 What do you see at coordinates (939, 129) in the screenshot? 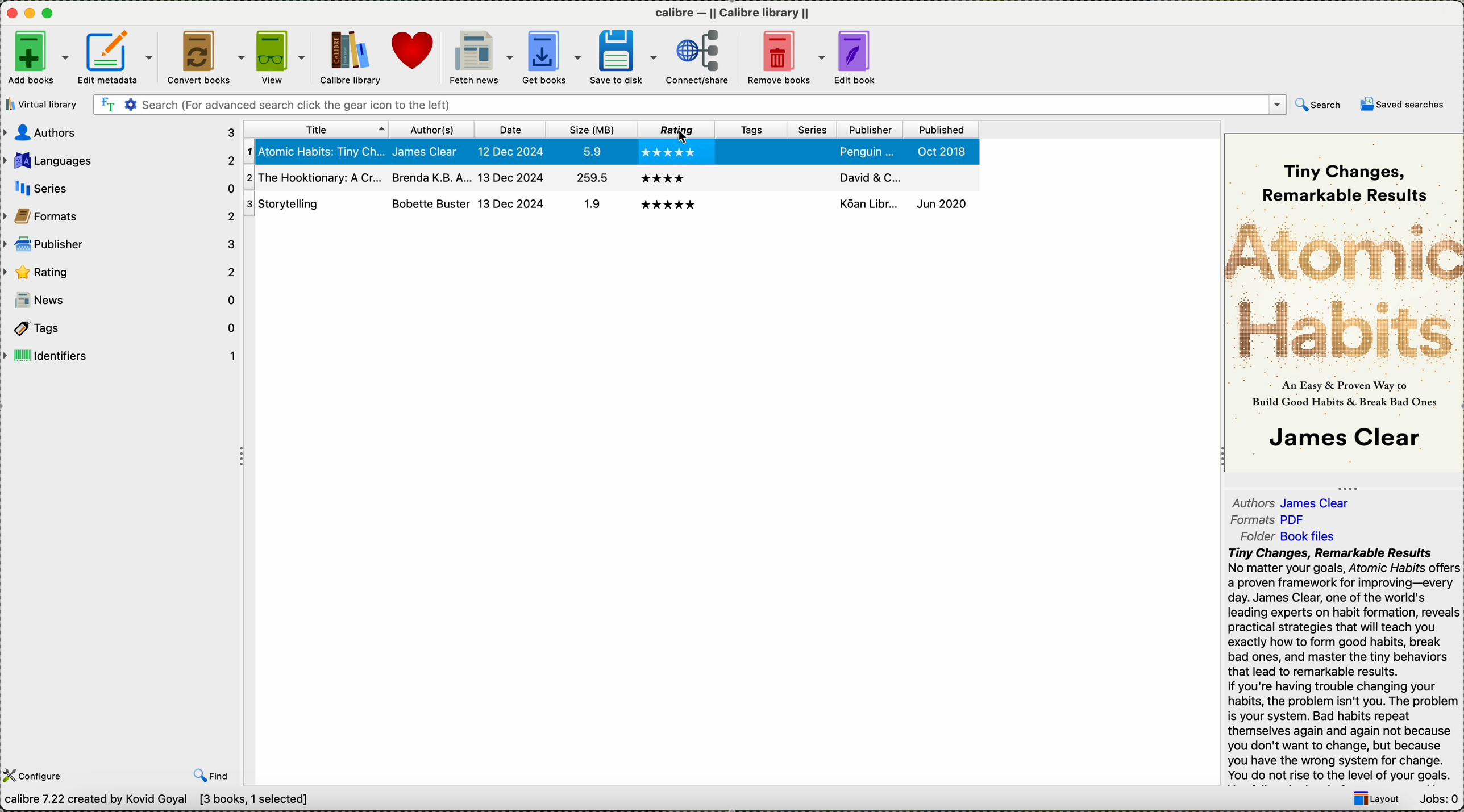
I see `published` at bounding box center [939, 129].